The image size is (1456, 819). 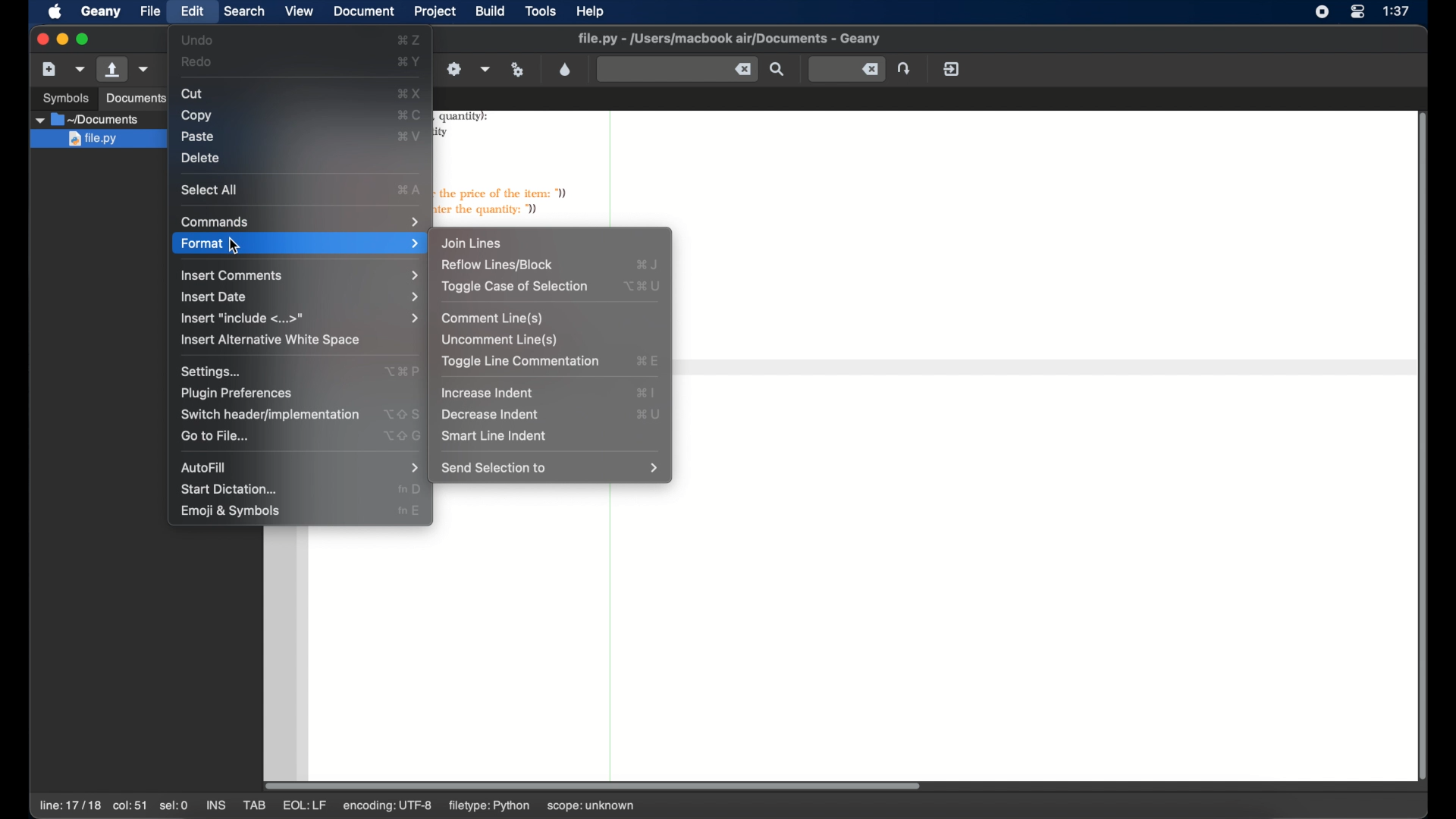 What do you see at coordinates (591, 807) in the screenshot?
I see `scope: unknown` at bounding box center [591, 807].